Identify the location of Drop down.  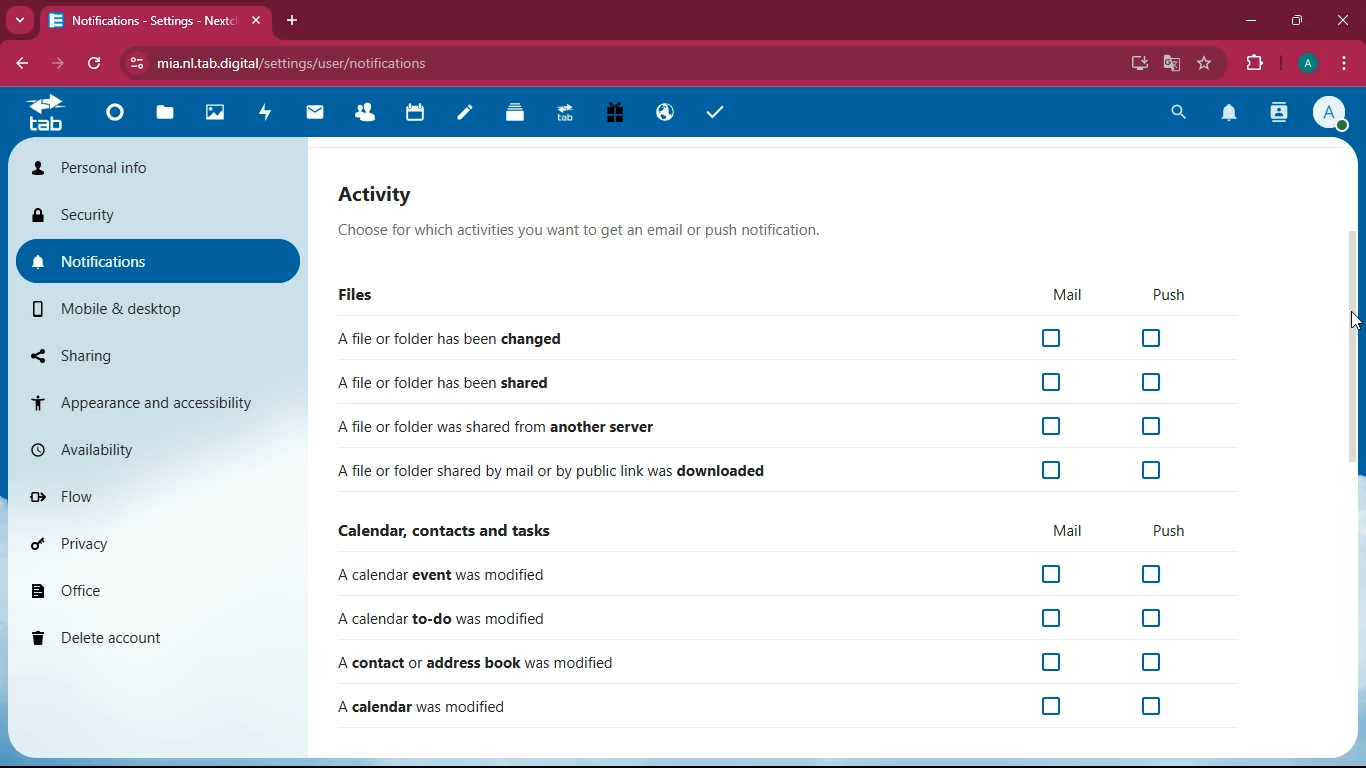
(21, 21).